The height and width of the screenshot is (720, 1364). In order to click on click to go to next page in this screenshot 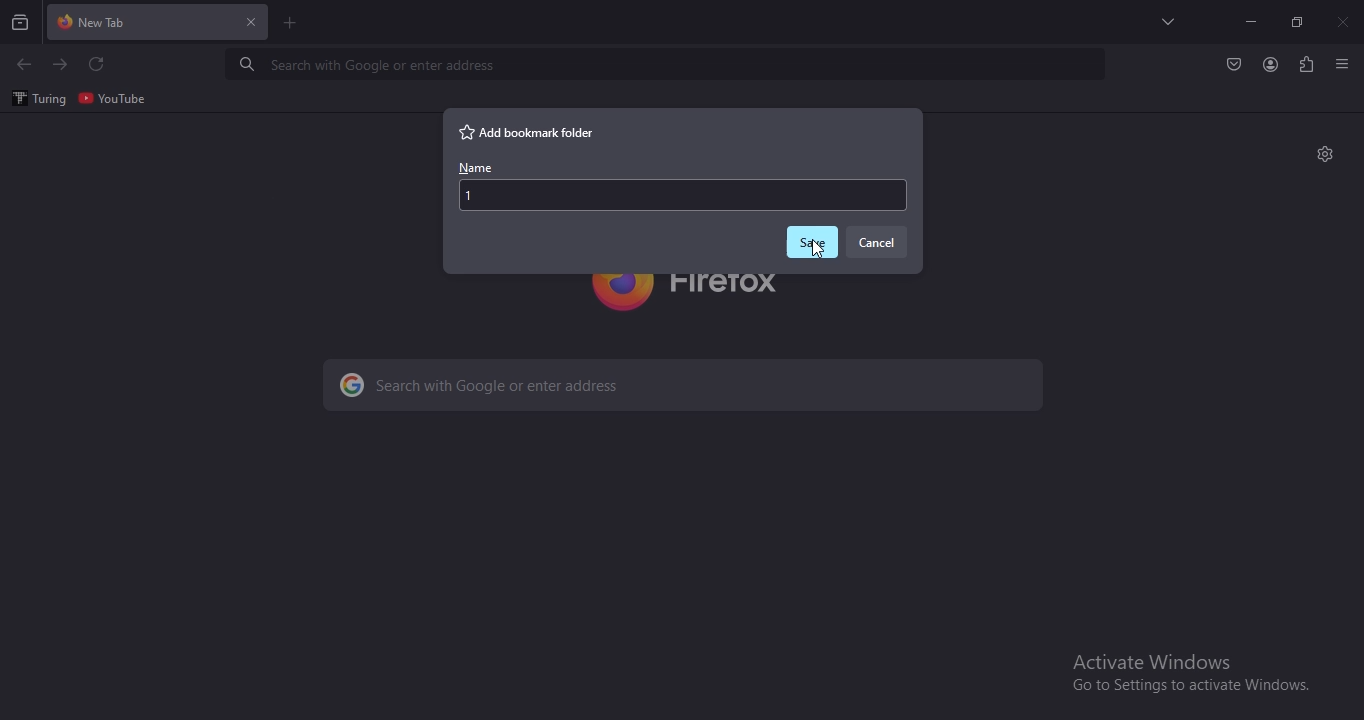, I will do `click(61, 64)`.